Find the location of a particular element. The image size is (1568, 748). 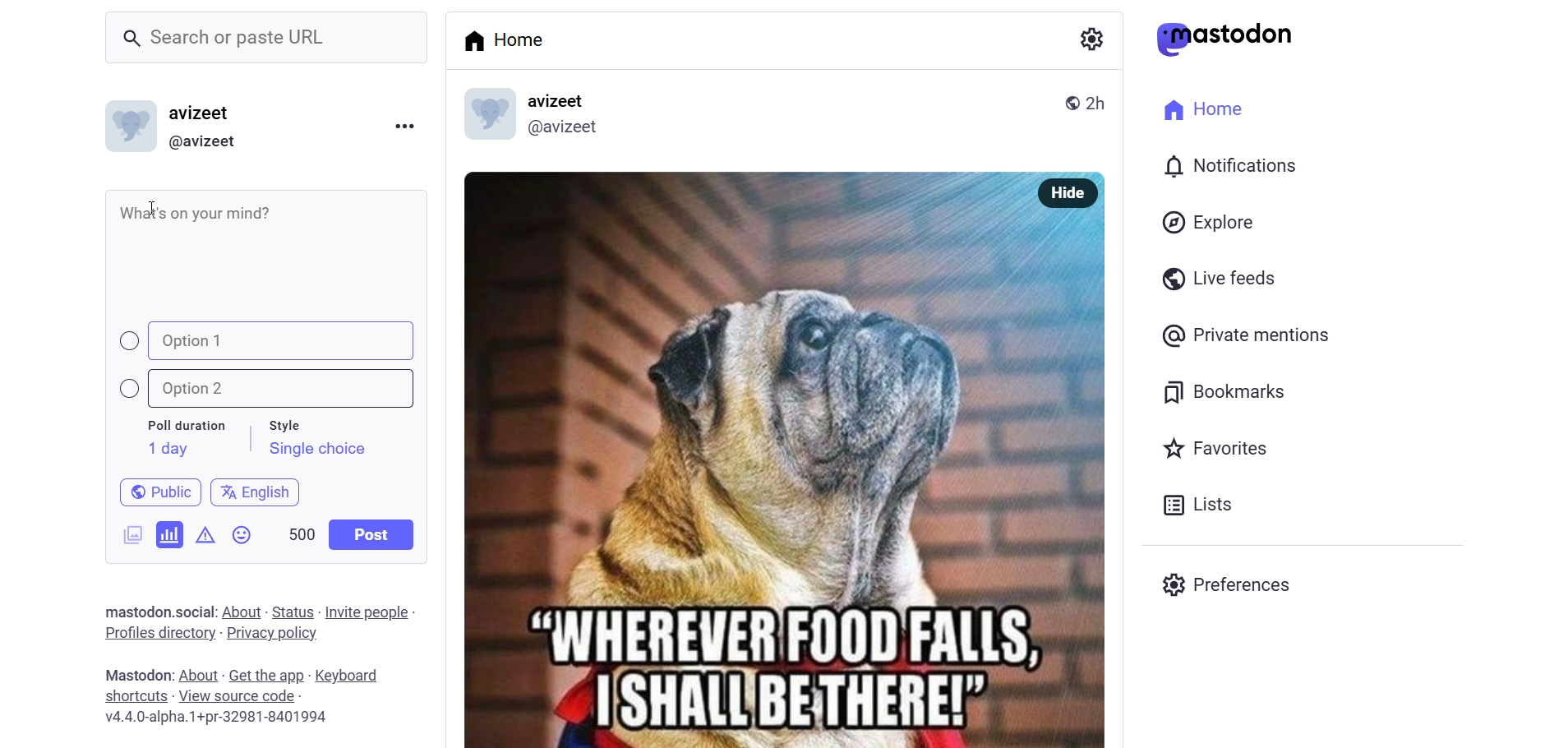

version is located at coordinates (218, 719).